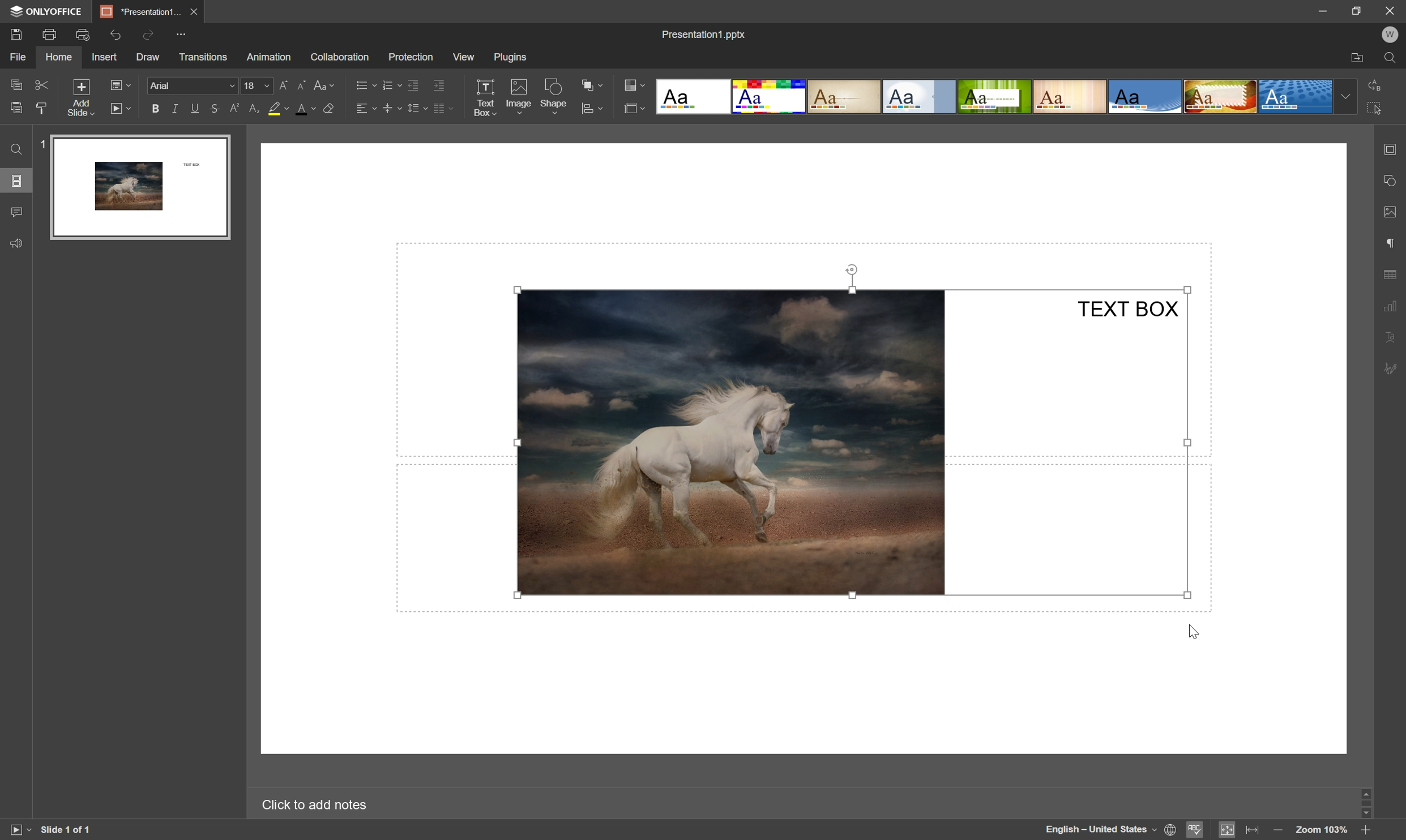 The width and height of the screenshot is (1406, 840). What do you see at coordinates (390, 85) in the screenshot?
I see `numbering` at bounding box center [390, 85].